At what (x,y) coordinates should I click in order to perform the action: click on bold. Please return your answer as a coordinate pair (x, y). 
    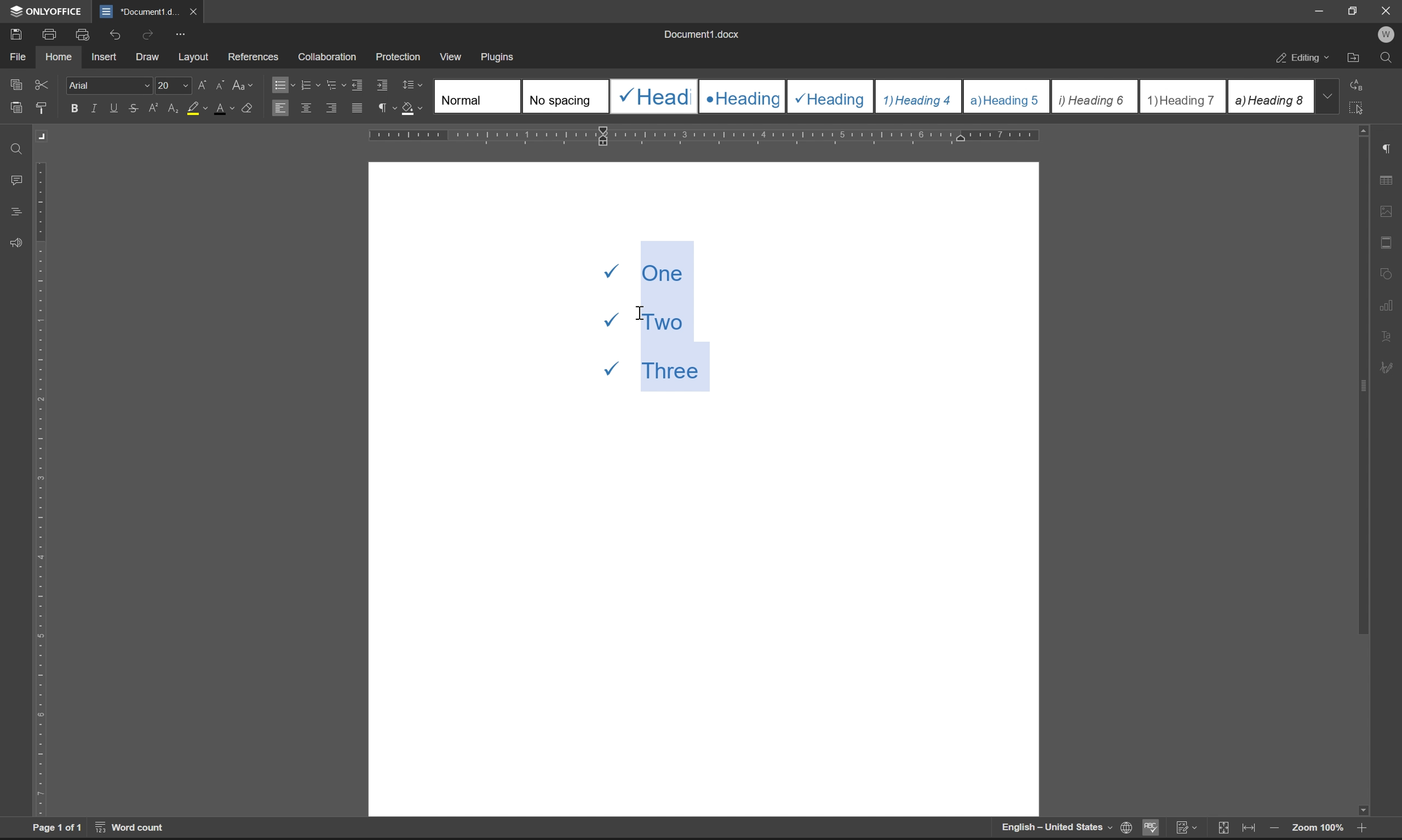
    Looking at the image, I should click on (75, 109).